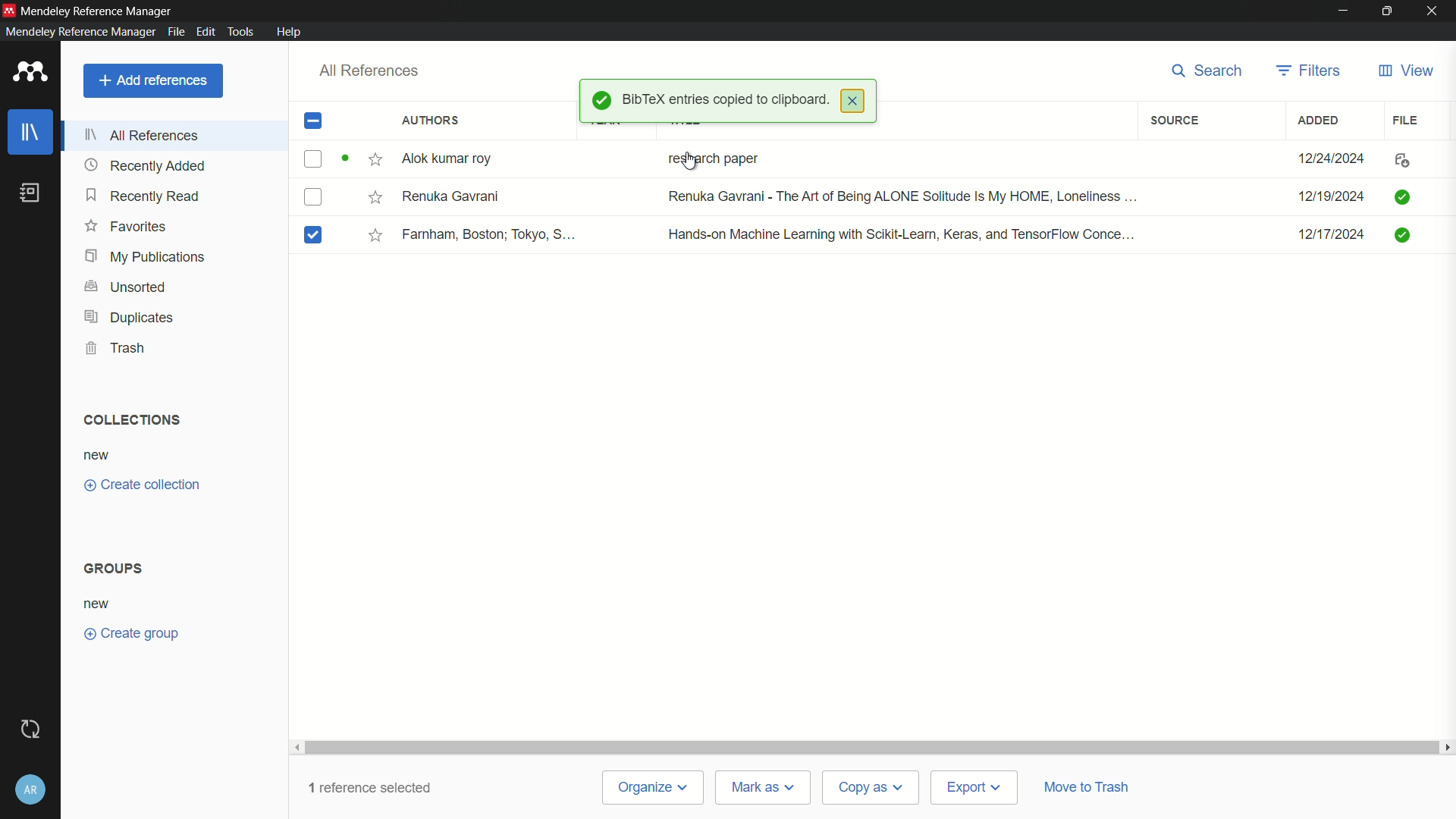 This screenshot has height=819, width=1456. I want to click on FIle uploaded, so click(1404, 195).